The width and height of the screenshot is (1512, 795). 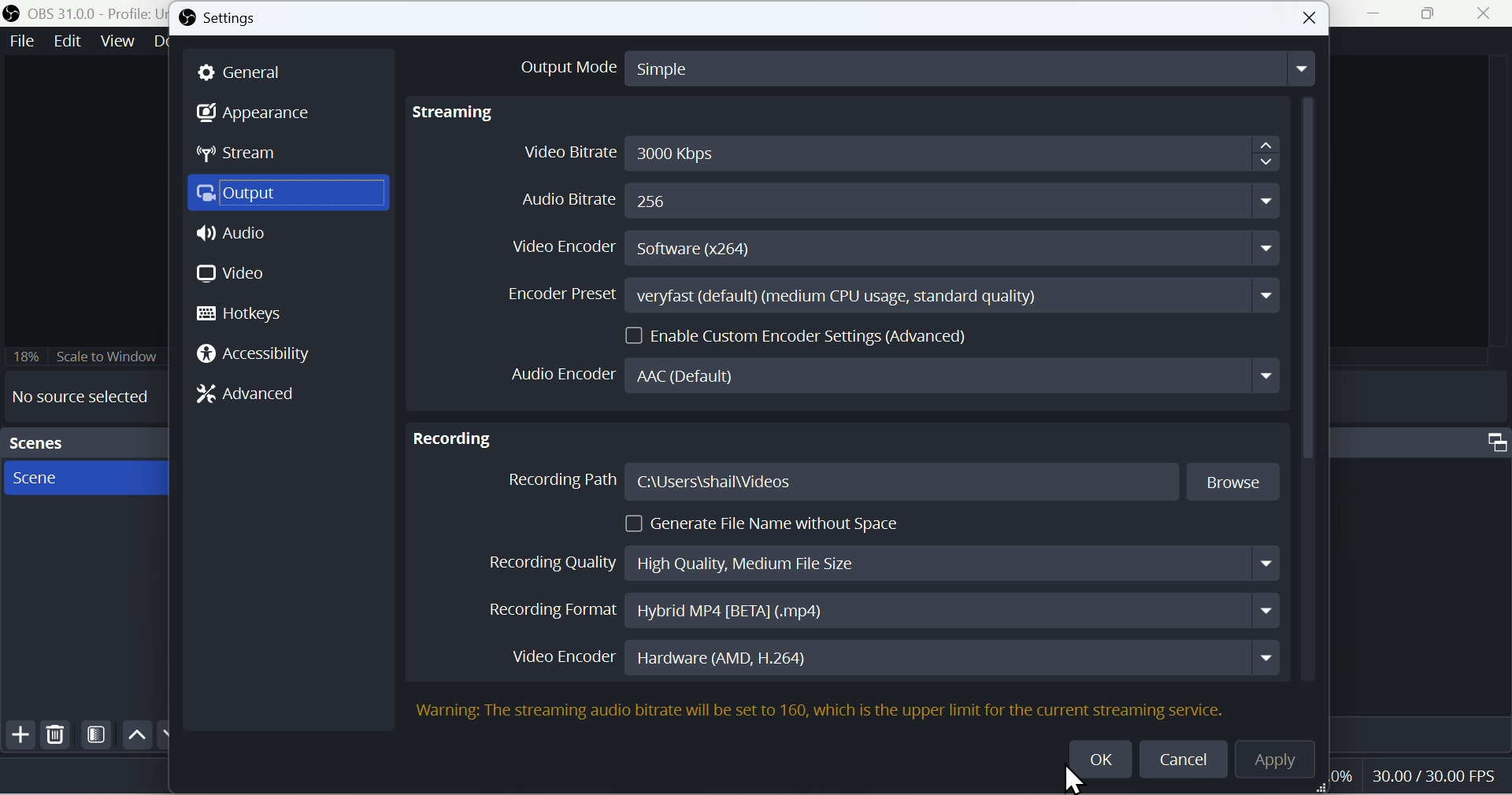 What do you see at coordinates (1095, 761) in the screenshot?
I see `cursor` at bounding box center [1095, 761].